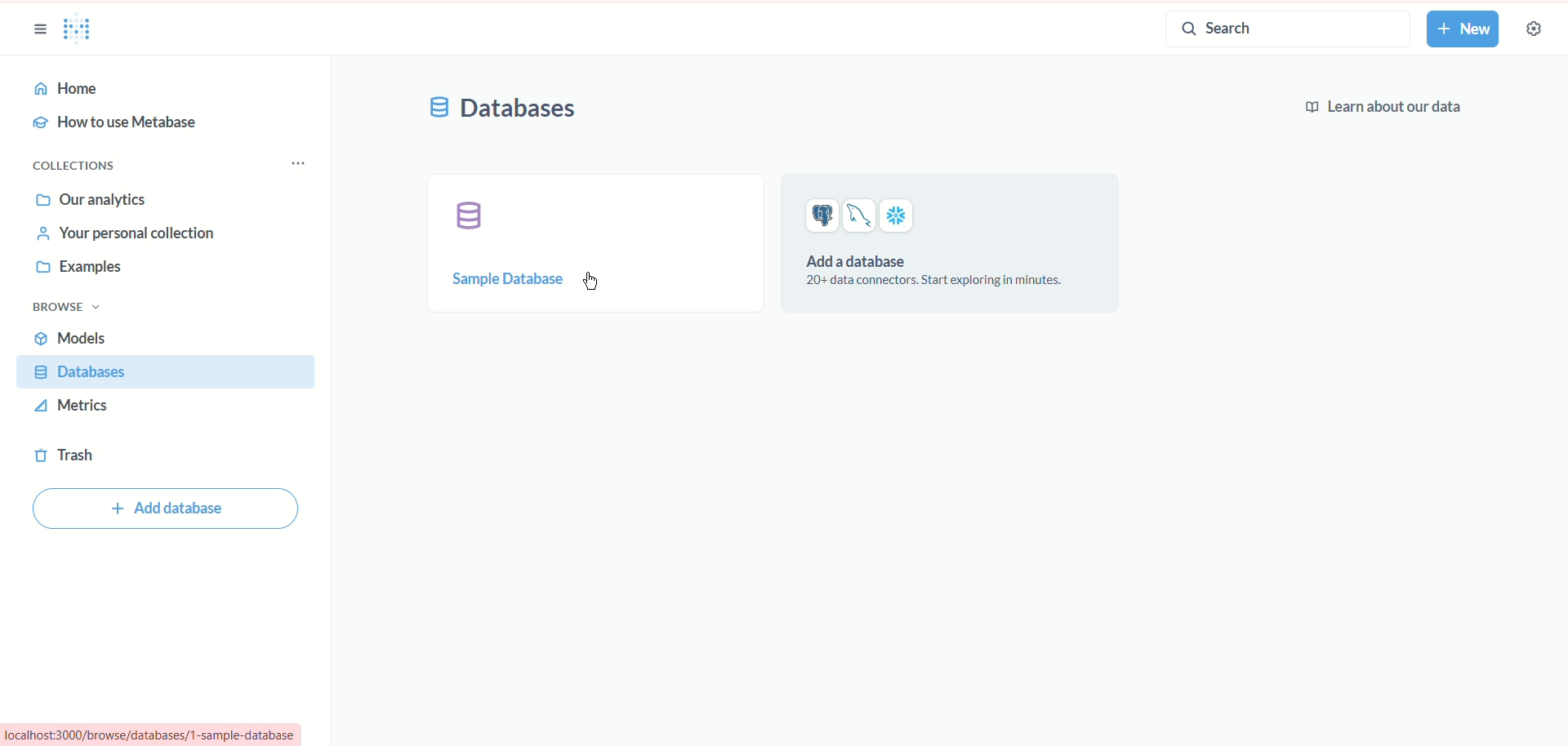  I want to click on trash, so click(63, 458).